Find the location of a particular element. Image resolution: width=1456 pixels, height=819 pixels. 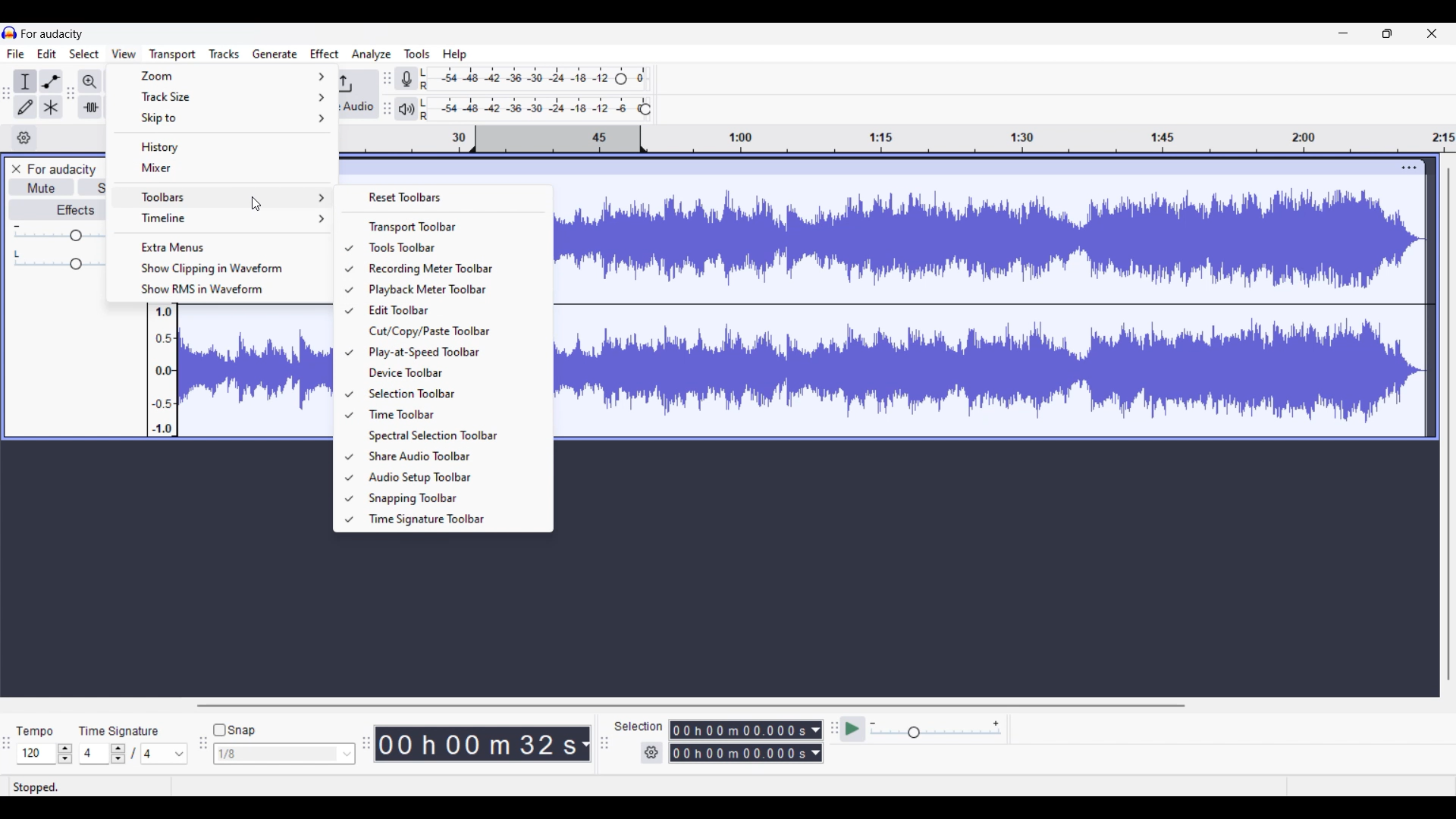

Record meter is located at coordinates (406, 78).